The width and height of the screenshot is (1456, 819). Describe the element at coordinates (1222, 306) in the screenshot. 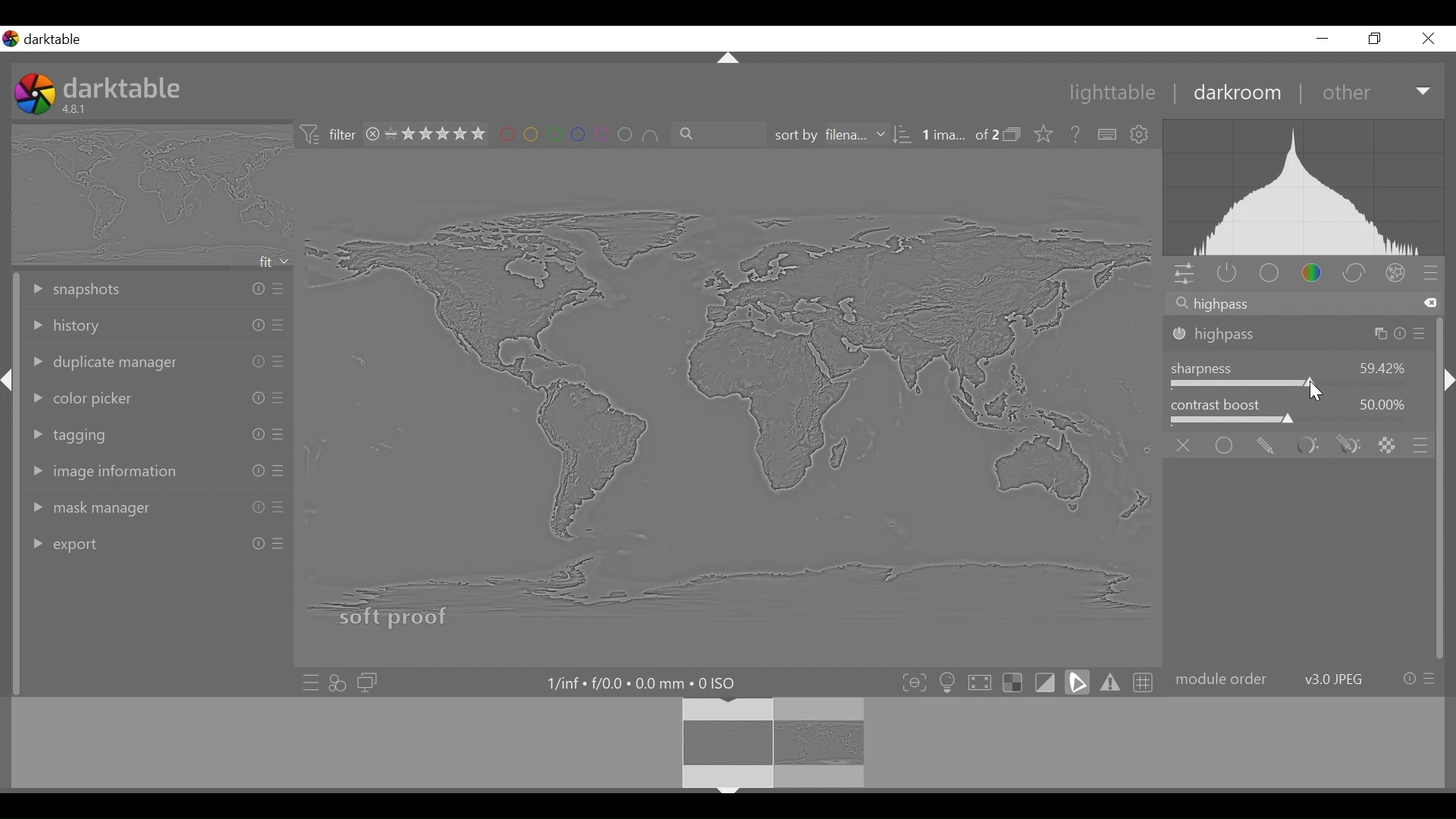

I see `highpass` at that location.